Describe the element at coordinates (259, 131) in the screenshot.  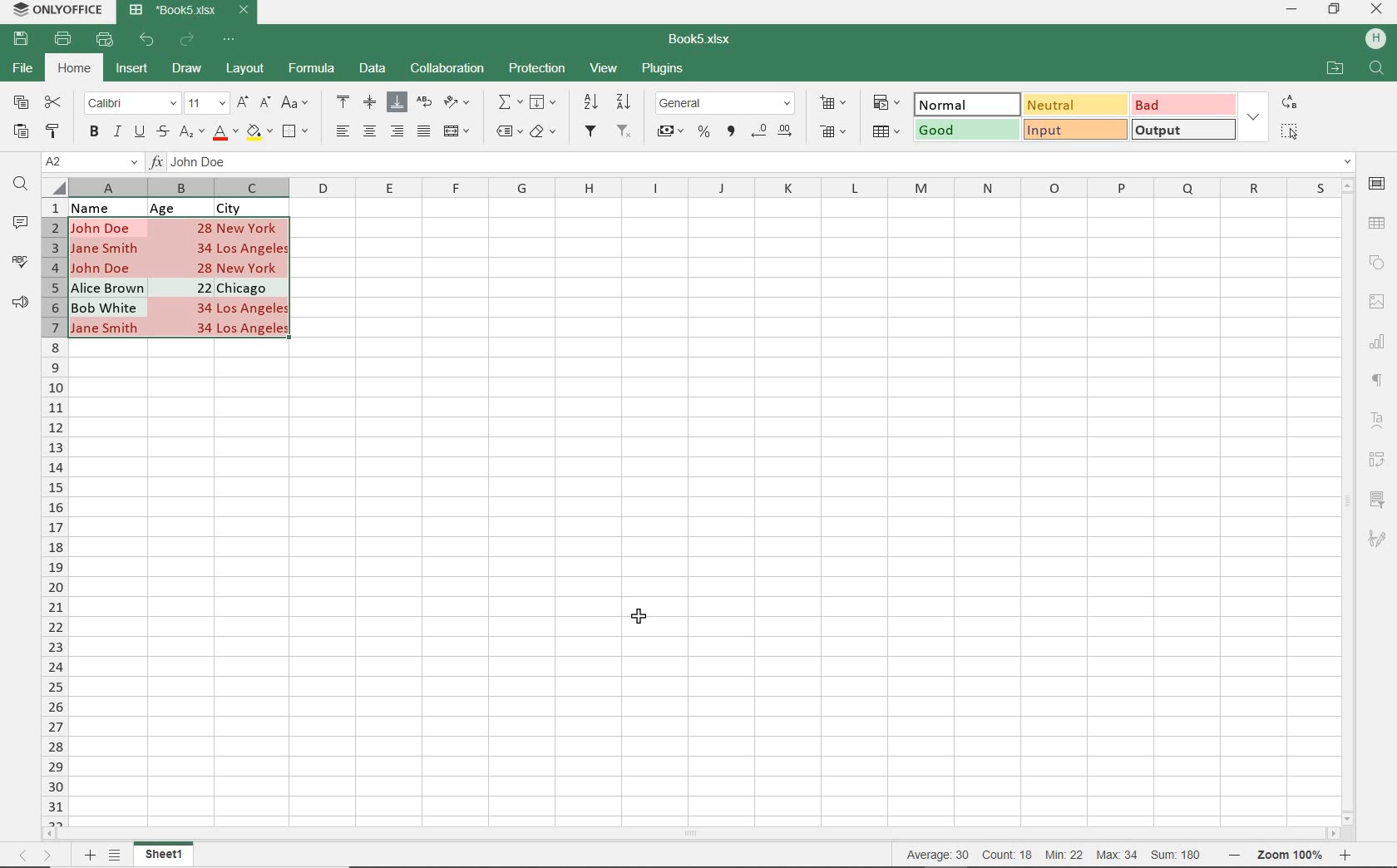
I see `FILL COLOR` at that location.